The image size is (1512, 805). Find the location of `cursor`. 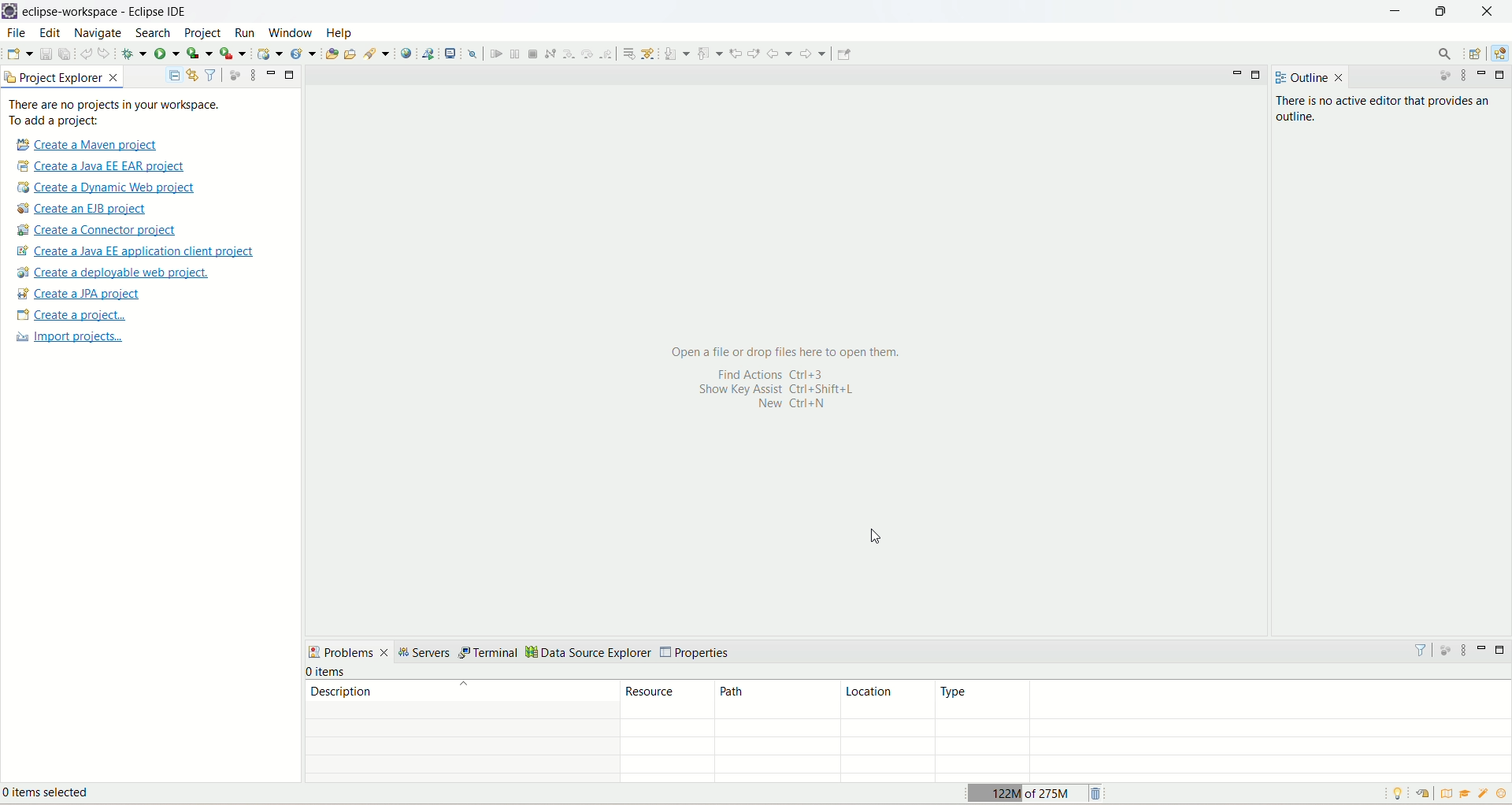

cursor is located at coordinates (873, 536).